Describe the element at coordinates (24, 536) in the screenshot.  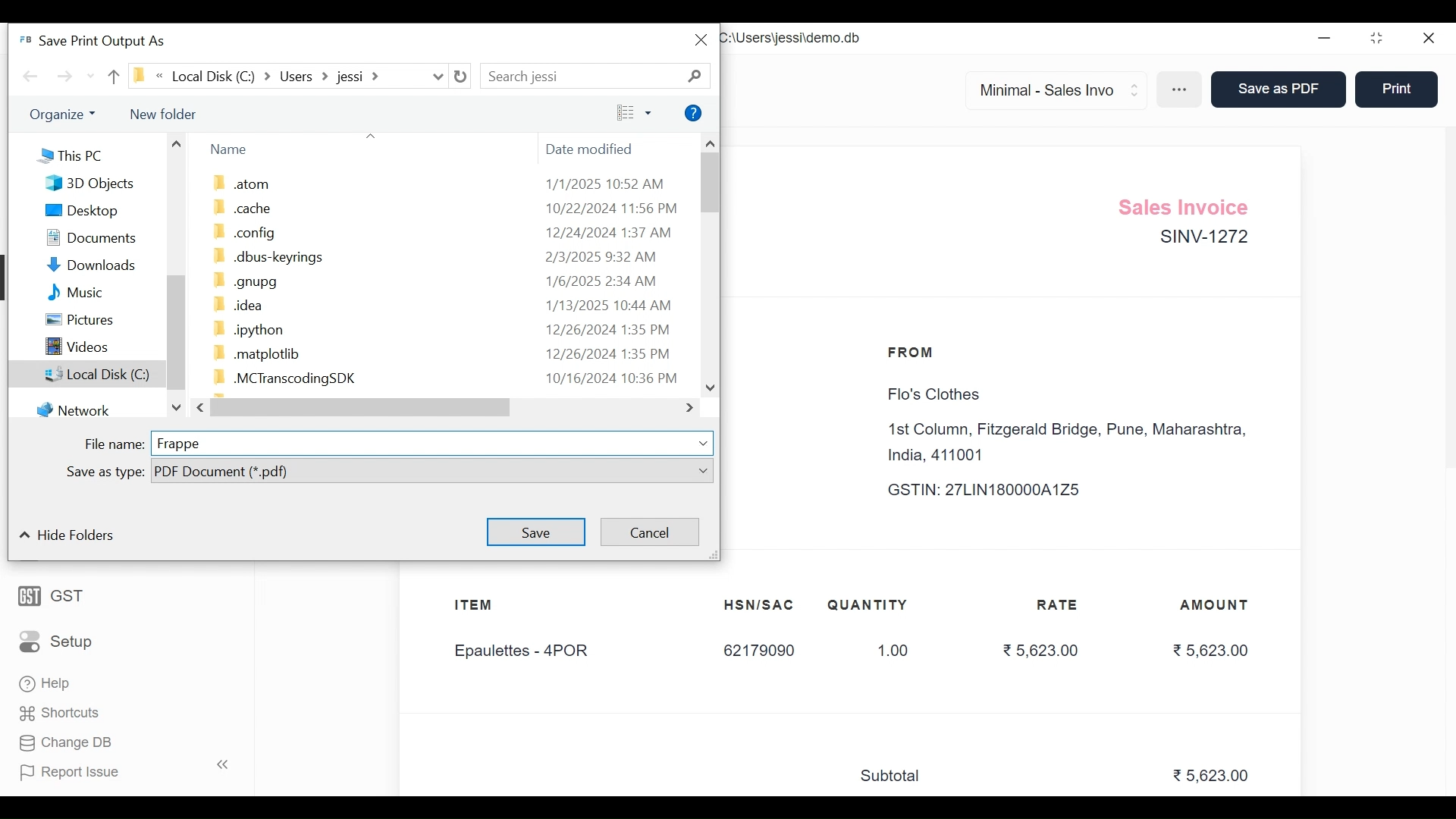
I see `Collapse` at that location.